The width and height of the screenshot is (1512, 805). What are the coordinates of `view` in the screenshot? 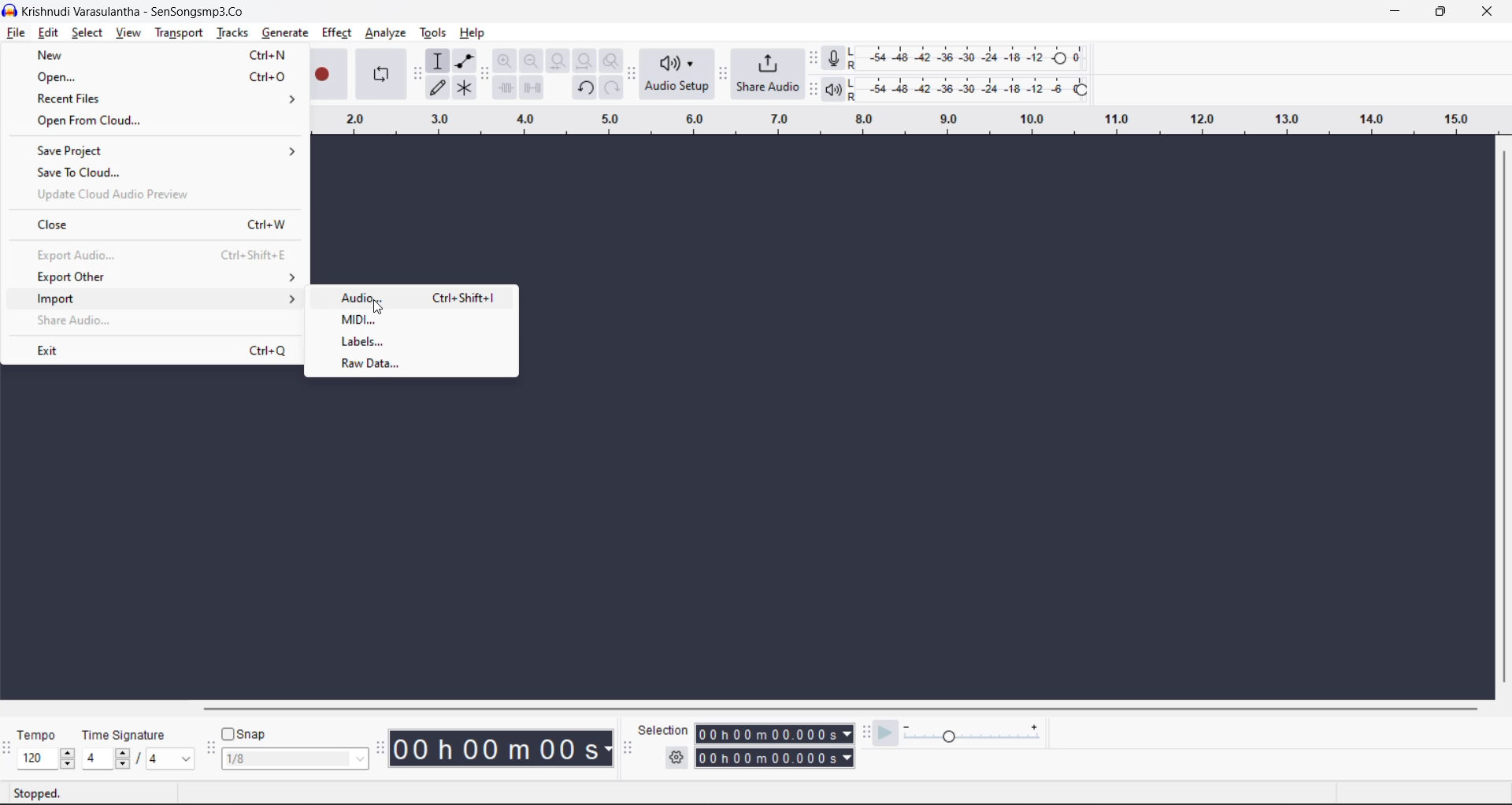 It's located at (131, 33).